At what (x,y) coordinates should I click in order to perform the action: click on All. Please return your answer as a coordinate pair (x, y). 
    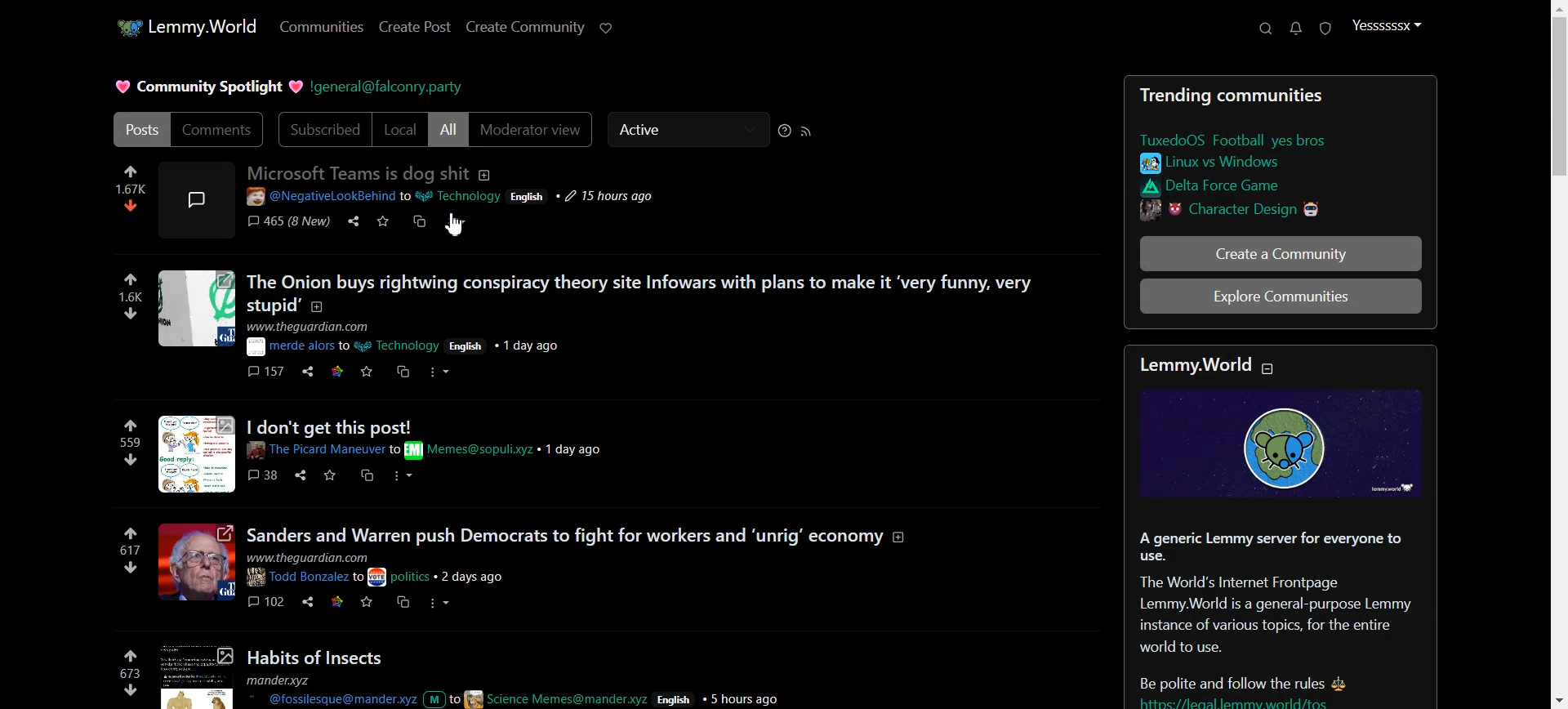
    Looking at the image, I should click on (449, 129).